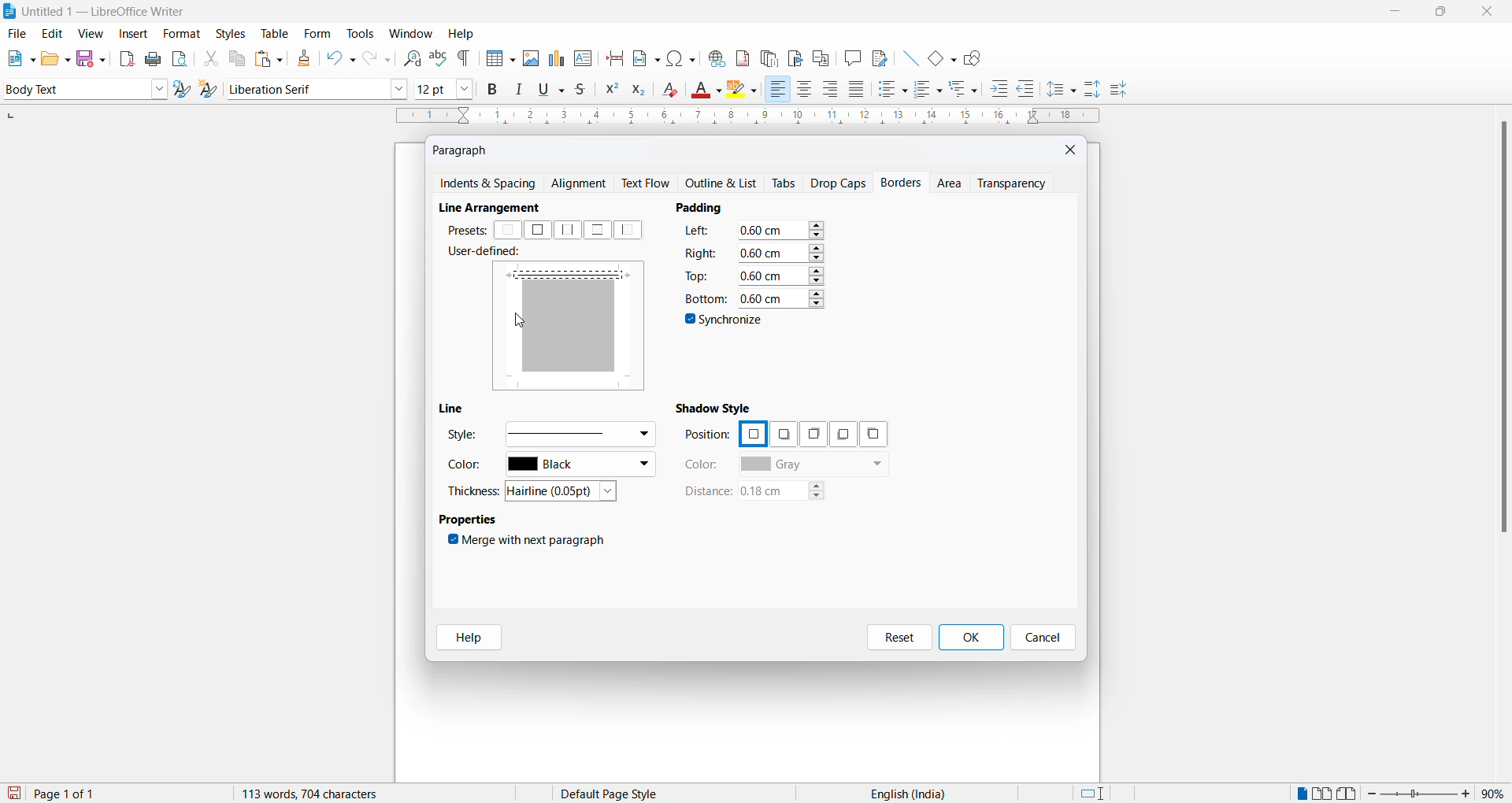 This screenshot has width=1512, height=803. Describe the element at coordinates (210, 58) in the screenshot. I see `cut` at that location.